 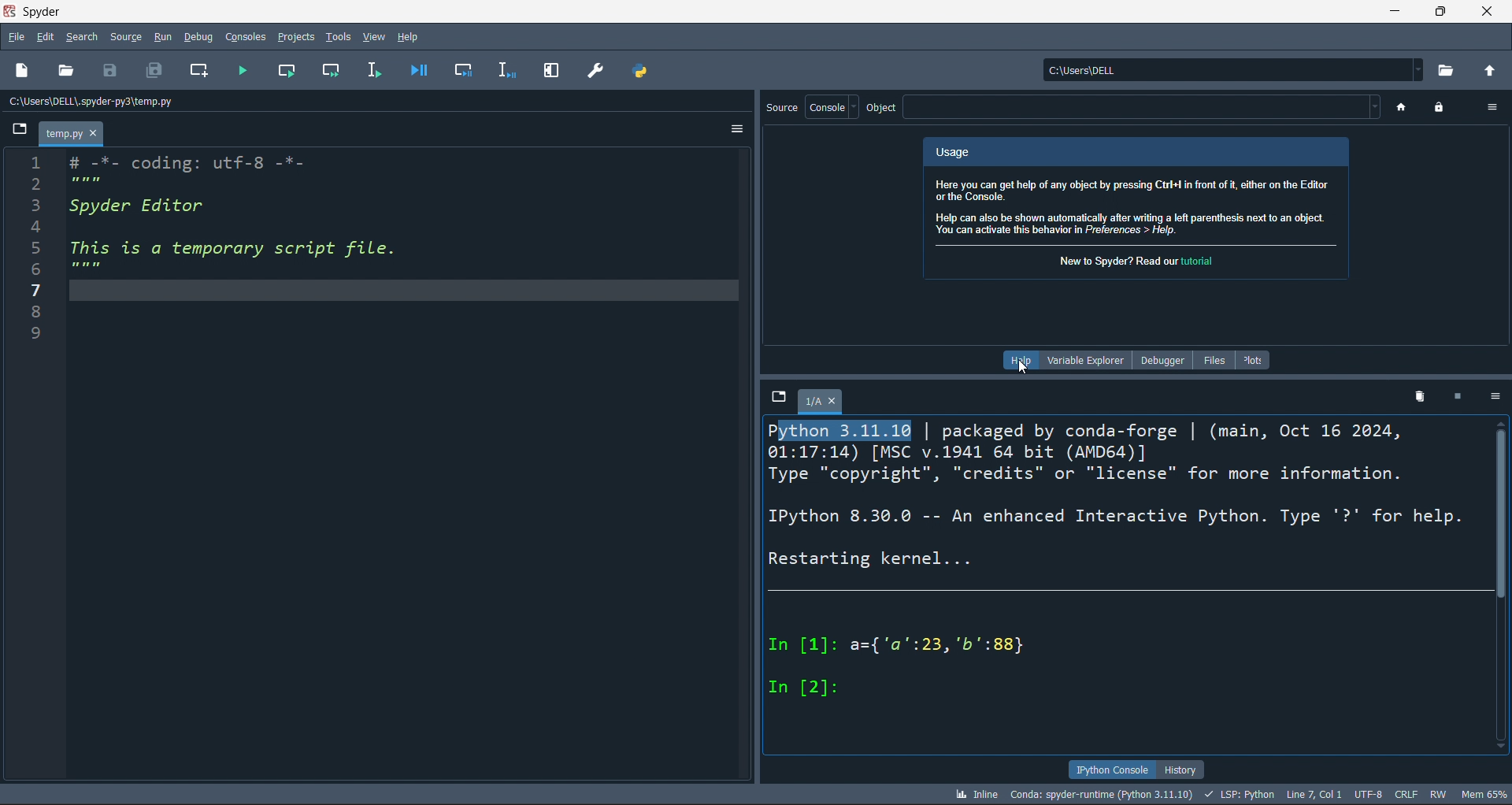 What do you see at coordinates (1493, 110) in the screenshot?
I see `more options` at bounding box center [1493, 110].